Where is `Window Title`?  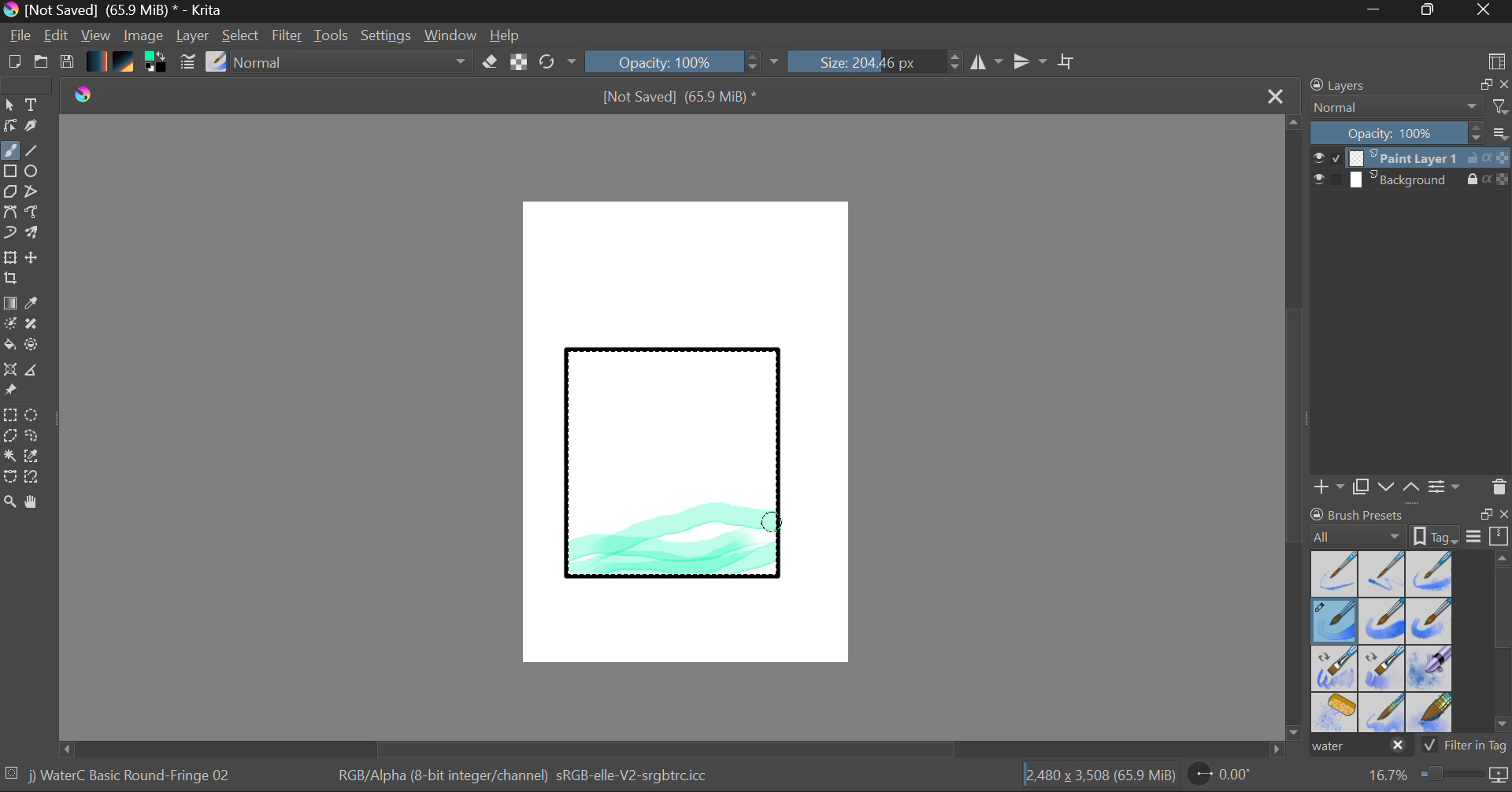
Window Title is located at coordinates (115, 11).